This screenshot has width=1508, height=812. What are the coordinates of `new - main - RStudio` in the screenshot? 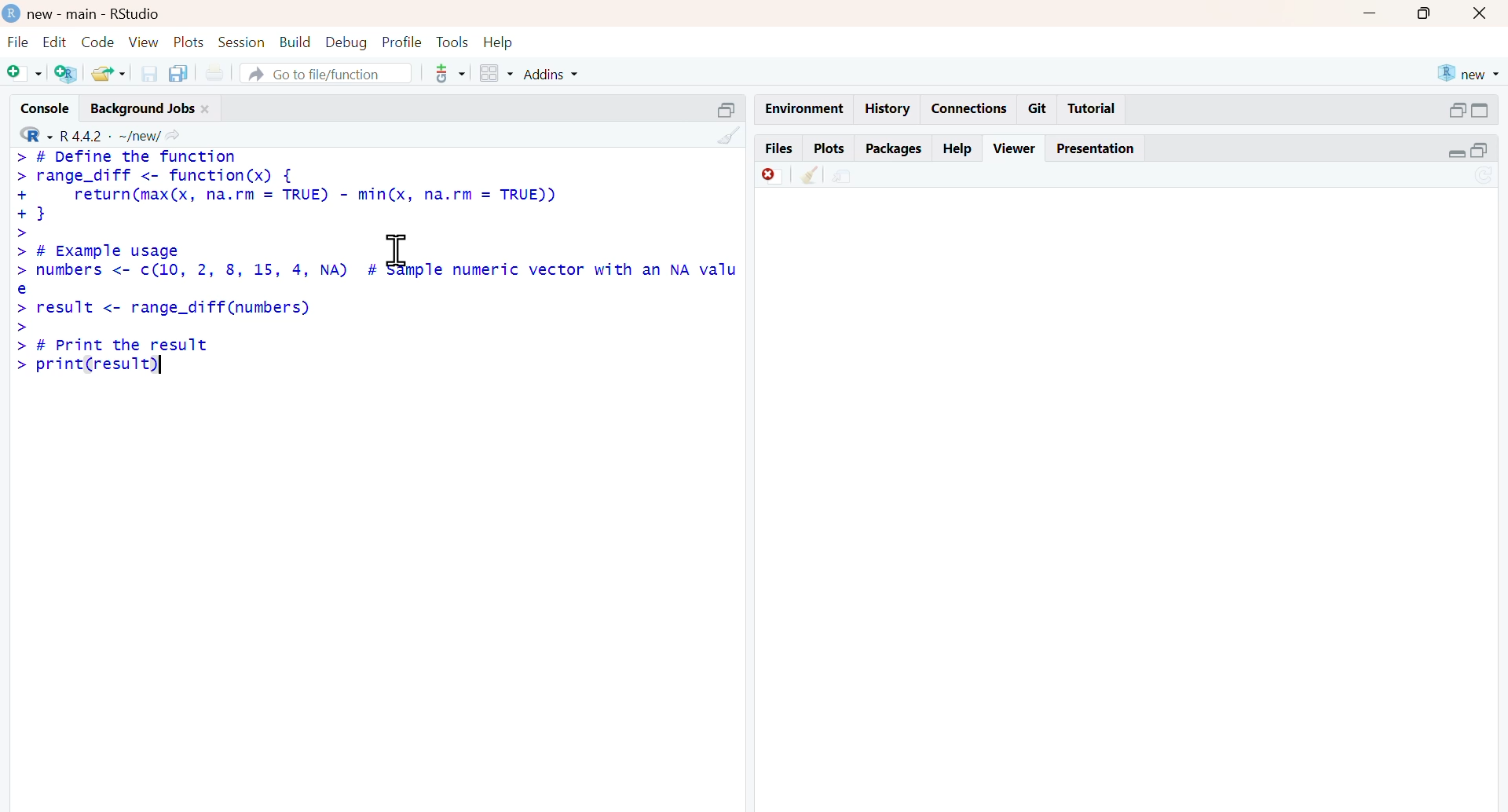 It's located at (96, 16).